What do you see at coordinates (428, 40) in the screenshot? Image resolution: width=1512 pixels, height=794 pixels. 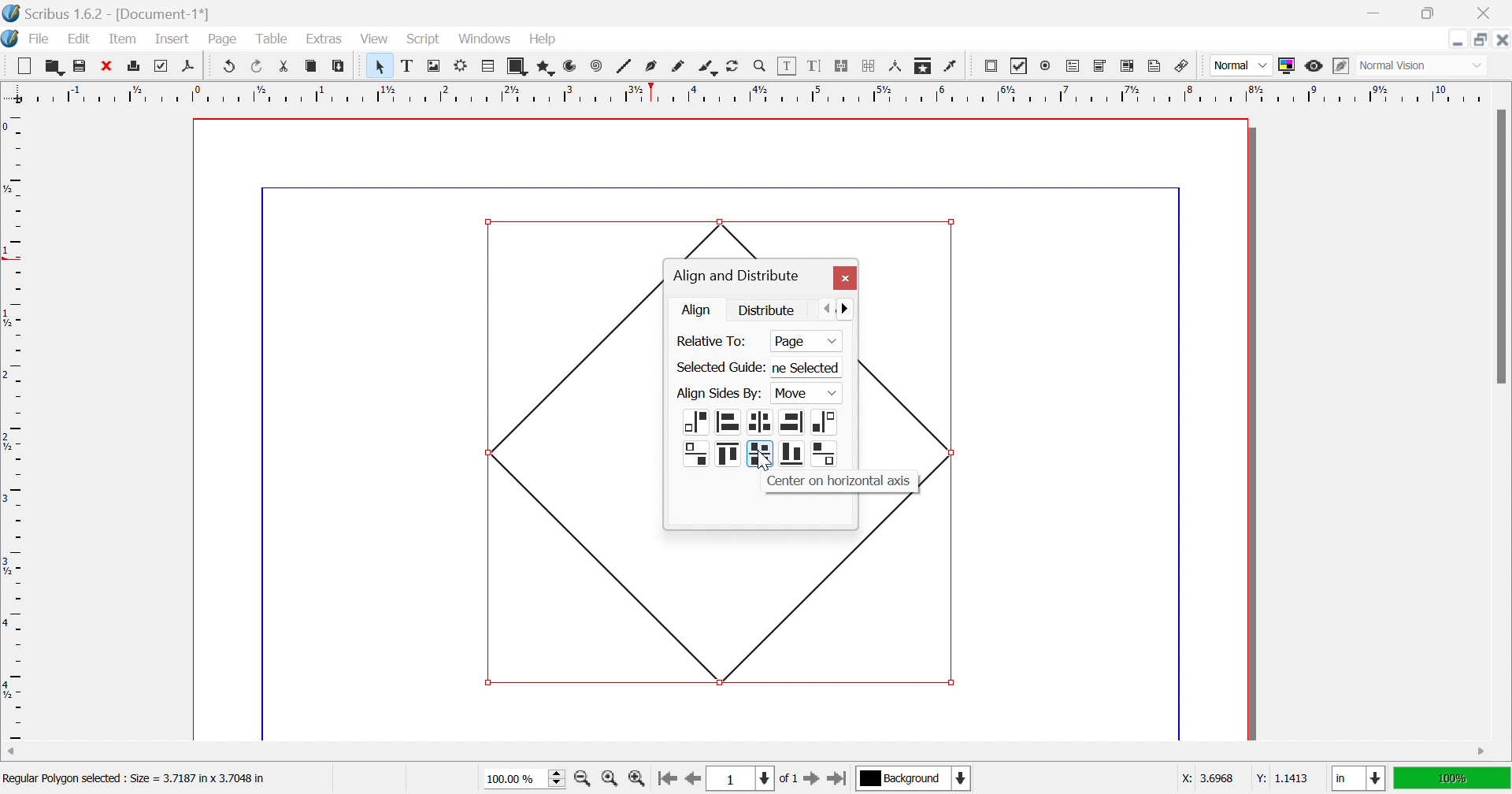 I see `Script` at bounding box center [428, 40].